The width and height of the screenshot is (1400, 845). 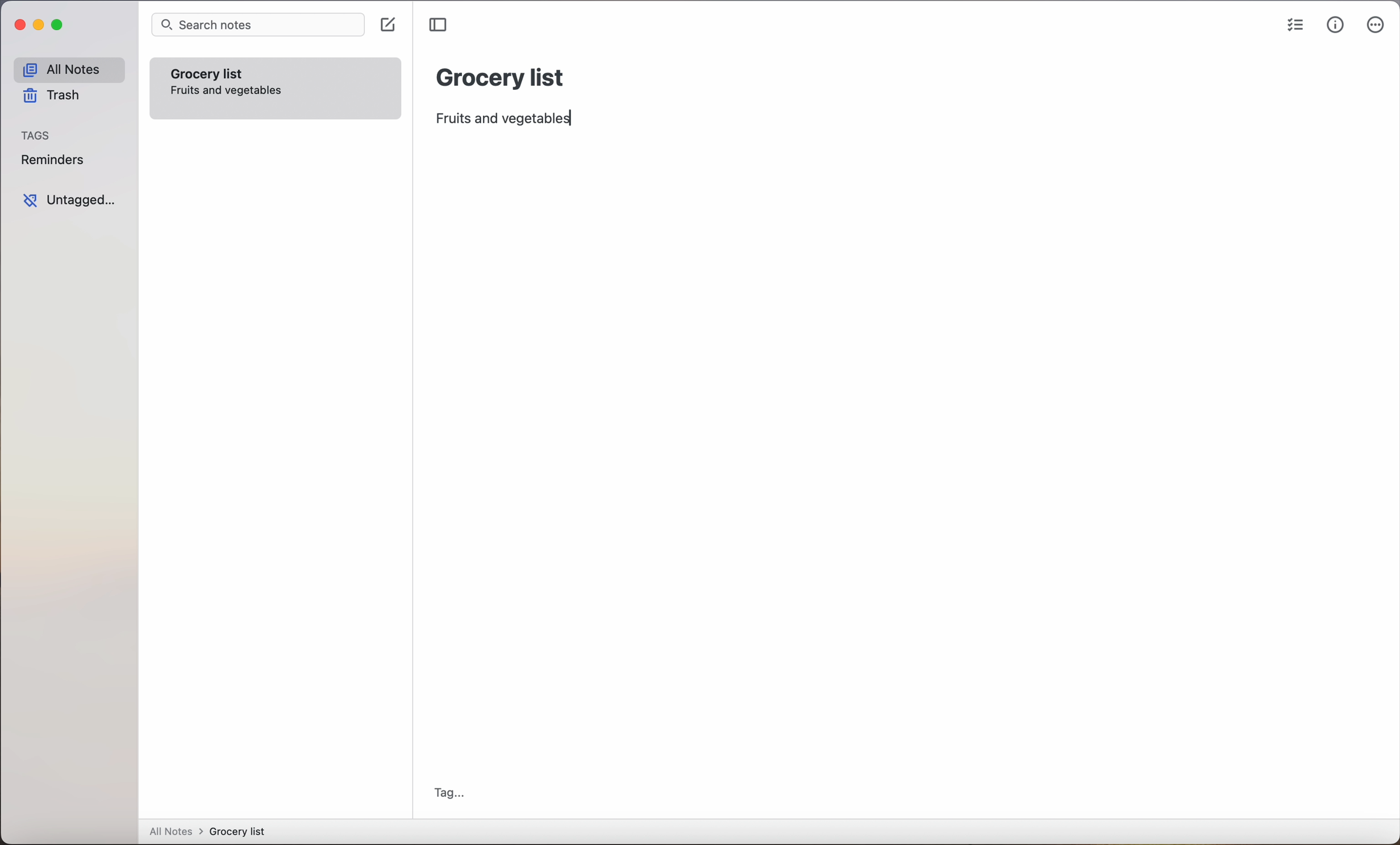 I want to click on close Simplenote, so click(x=19, y=26).